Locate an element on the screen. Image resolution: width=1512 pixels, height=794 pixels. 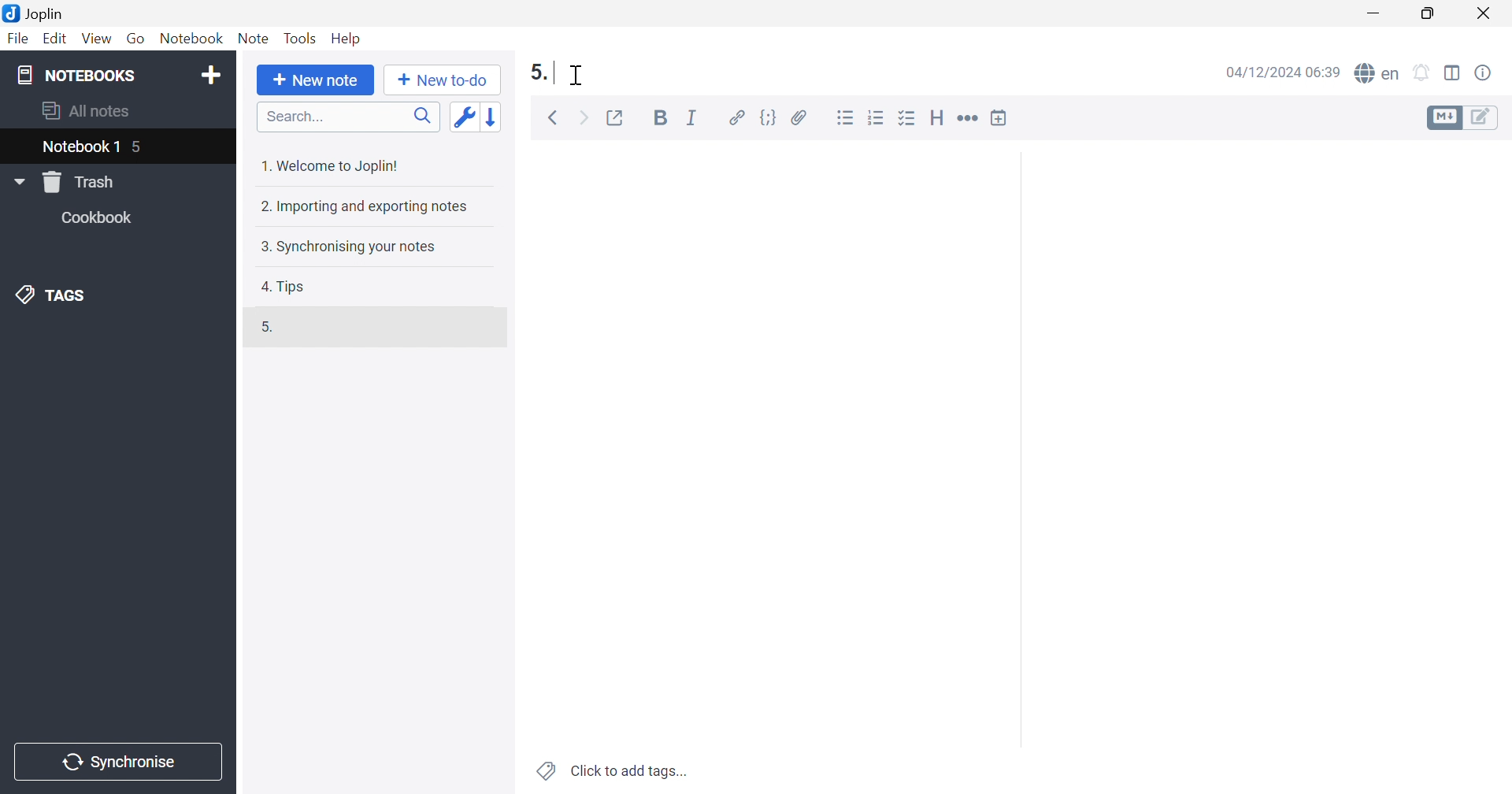
Italic is located at coordinates (691, 117).